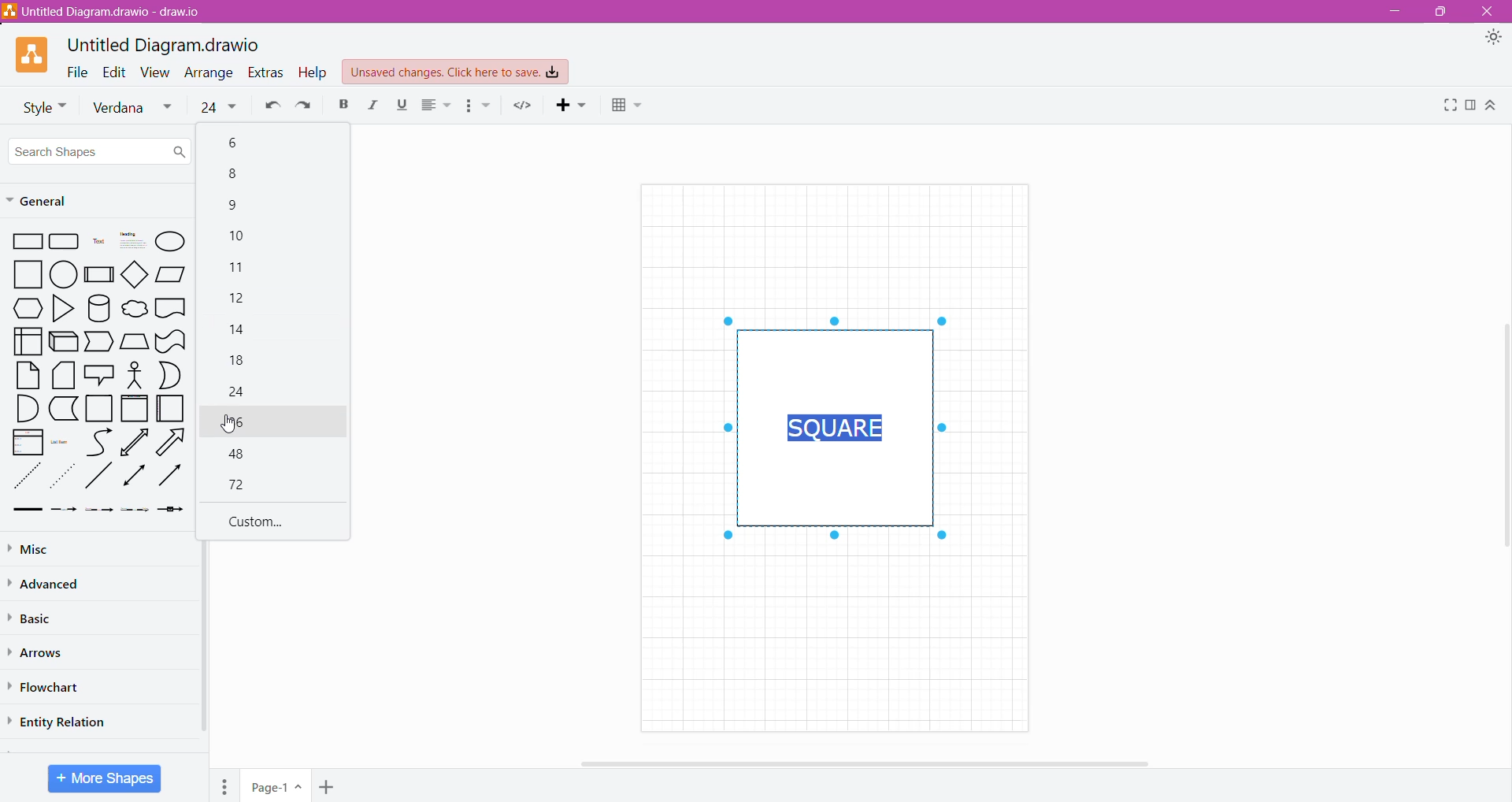 The height and width of the screenshot is (802, 1512). I want to click on diagonal line, so click(98, 477).